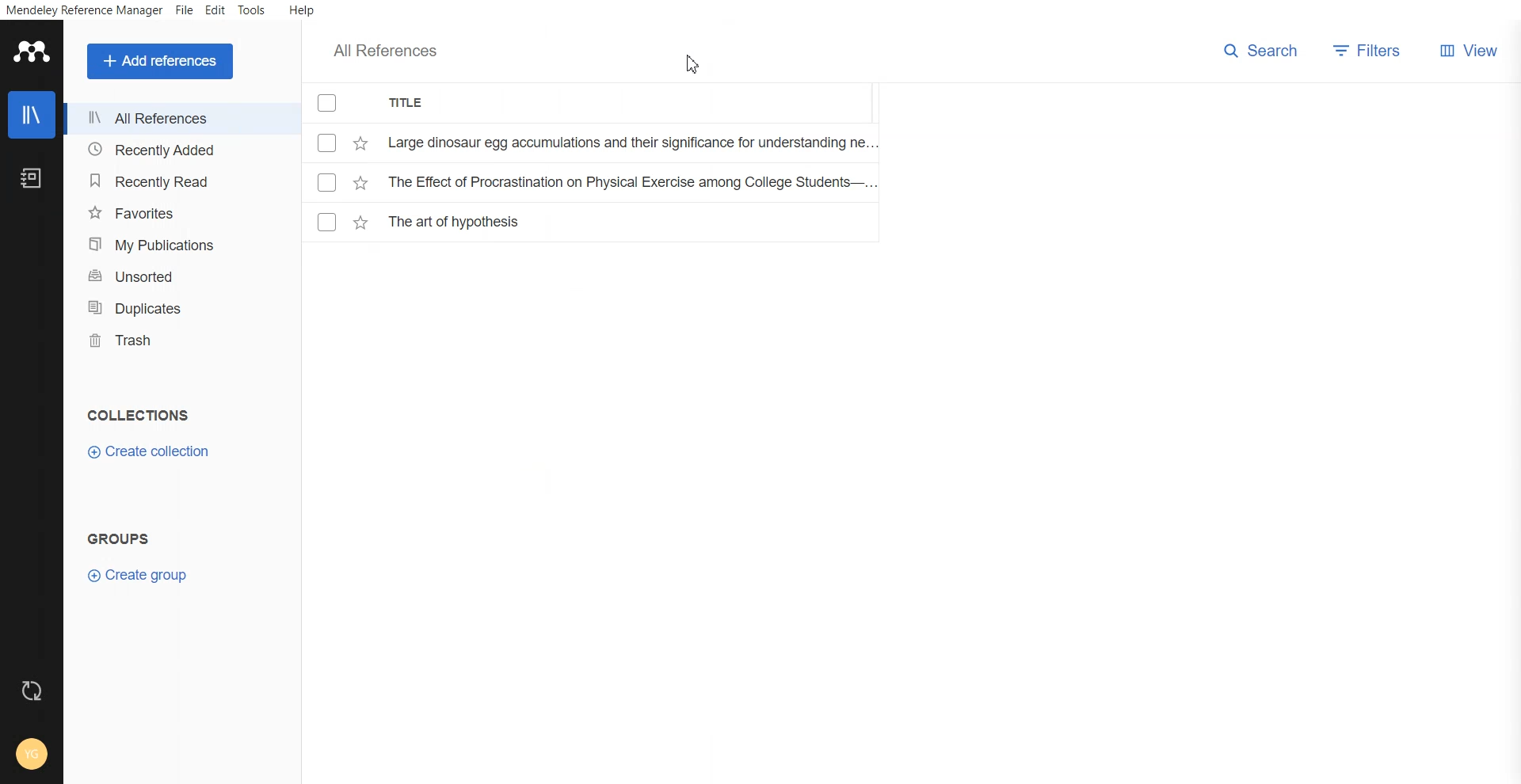 The height and width of the screenshot is (784, 1521). Describe the element at coordinates (594, 142) in the screenshot. I see `File` at that location.